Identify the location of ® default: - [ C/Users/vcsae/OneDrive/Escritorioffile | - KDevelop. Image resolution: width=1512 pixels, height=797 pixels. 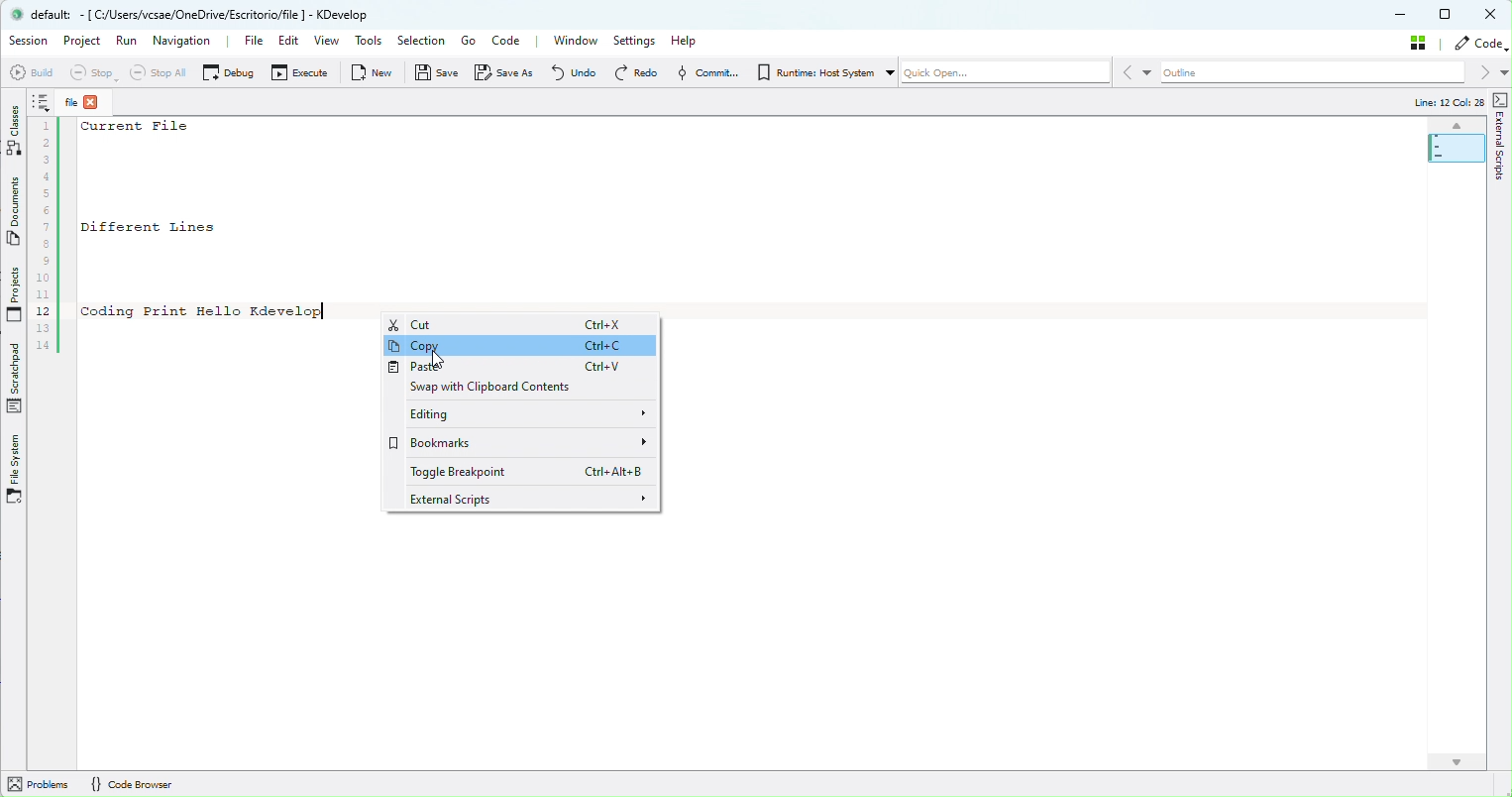
(203, 16).